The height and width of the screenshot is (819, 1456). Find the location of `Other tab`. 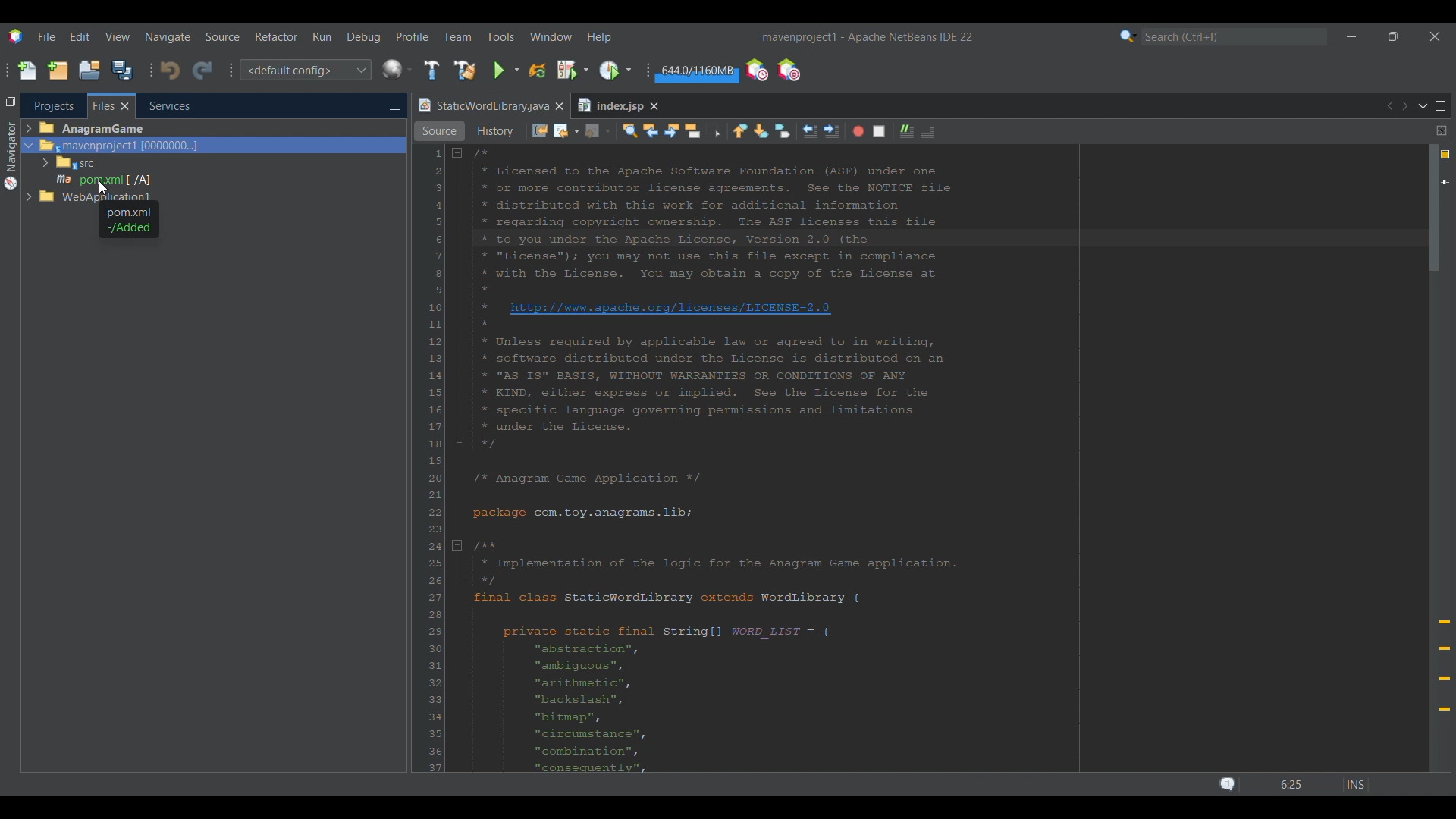

Other tab is located at coordinates (617, 105).